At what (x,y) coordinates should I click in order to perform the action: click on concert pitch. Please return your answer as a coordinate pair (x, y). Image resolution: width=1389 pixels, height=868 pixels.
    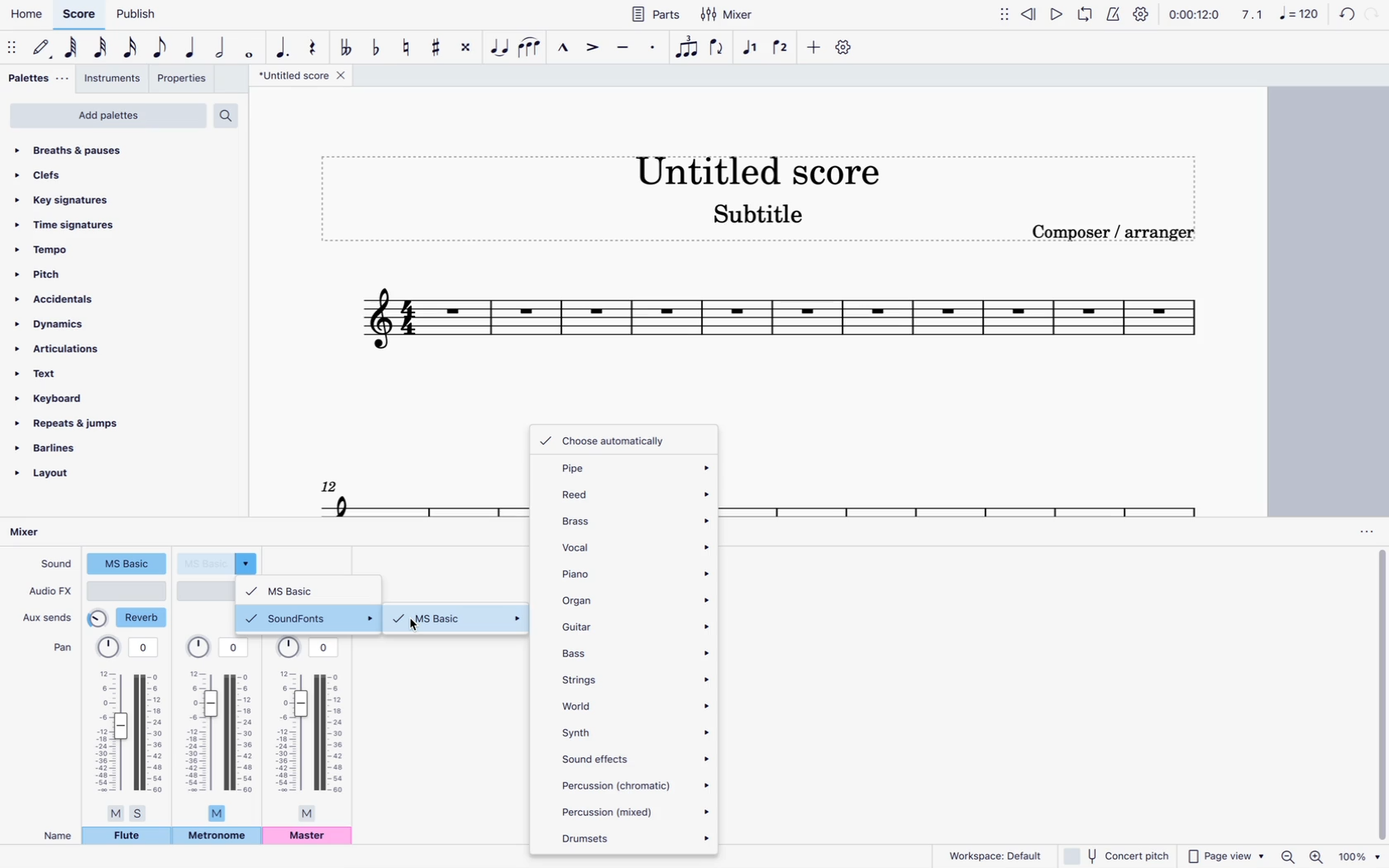
    Looking at the image, I should click on (1117, 856).